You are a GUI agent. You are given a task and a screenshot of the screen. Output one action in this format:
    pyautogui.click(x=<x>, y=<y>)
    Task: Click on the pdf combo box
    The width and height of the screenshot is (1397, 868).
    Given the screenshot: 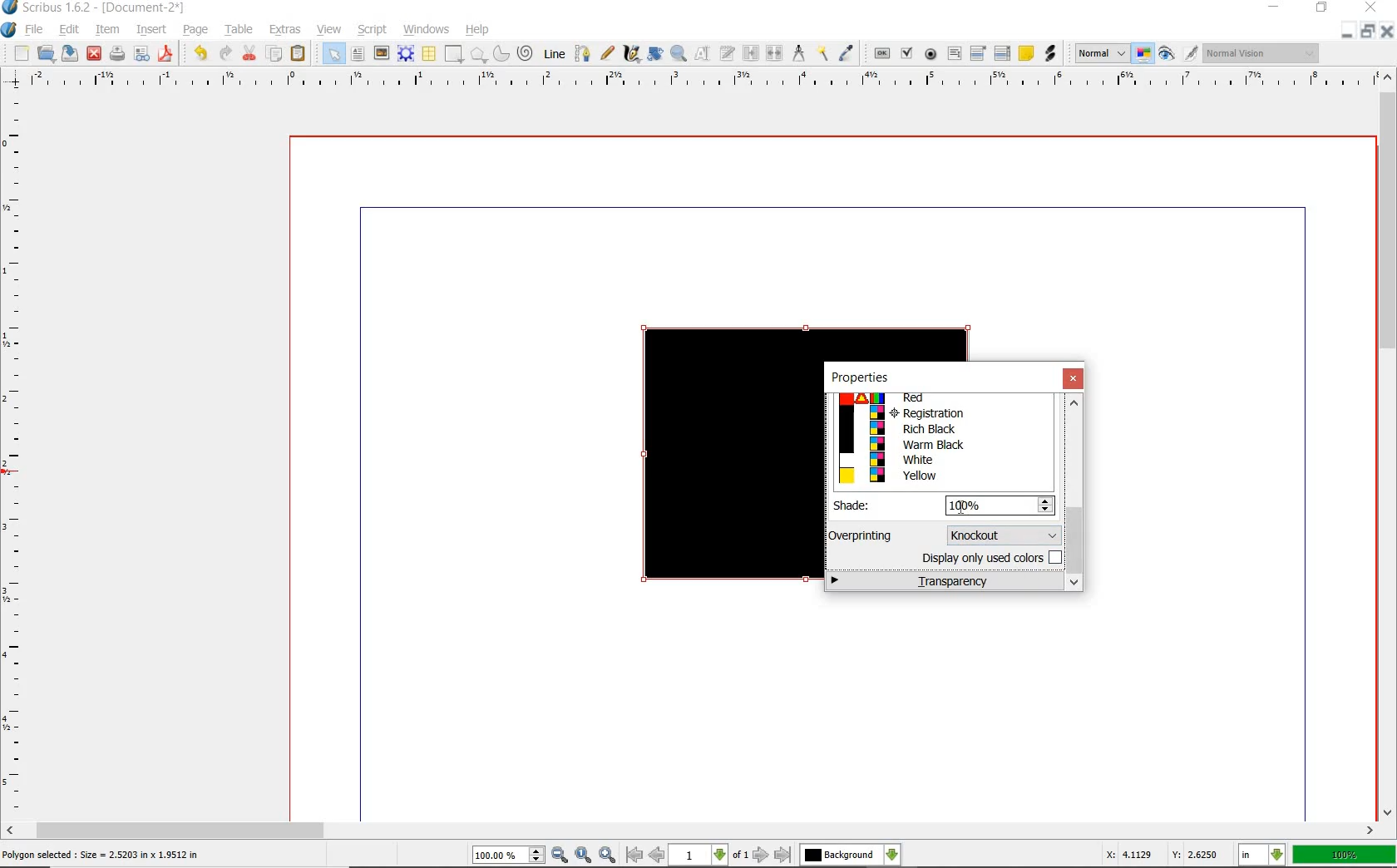 What is the action you would take?
    pyautogui.click(x=978, y=54)
    